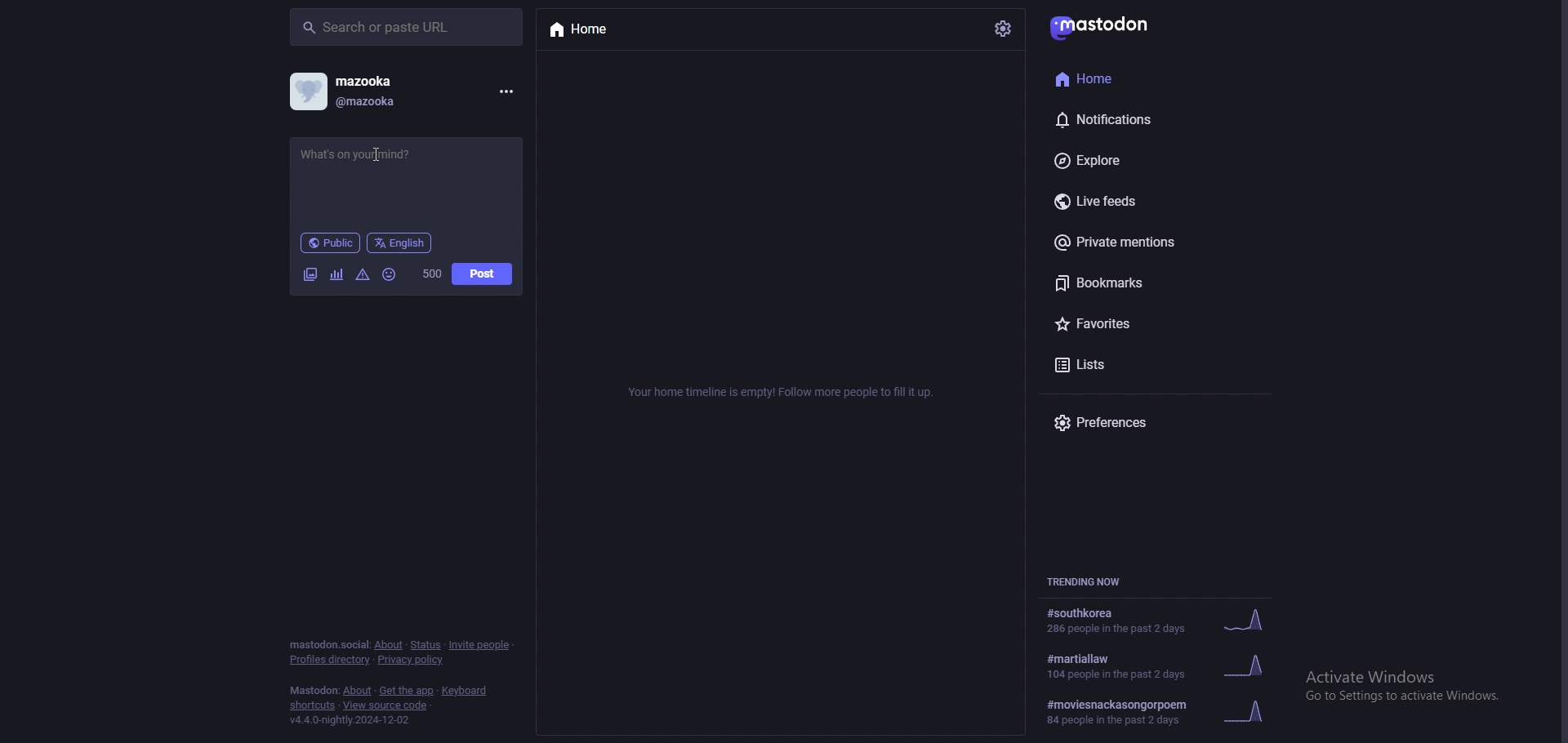 This screenshot has width=1568, height=743. I want to click on favourites, so click(1147, 327).